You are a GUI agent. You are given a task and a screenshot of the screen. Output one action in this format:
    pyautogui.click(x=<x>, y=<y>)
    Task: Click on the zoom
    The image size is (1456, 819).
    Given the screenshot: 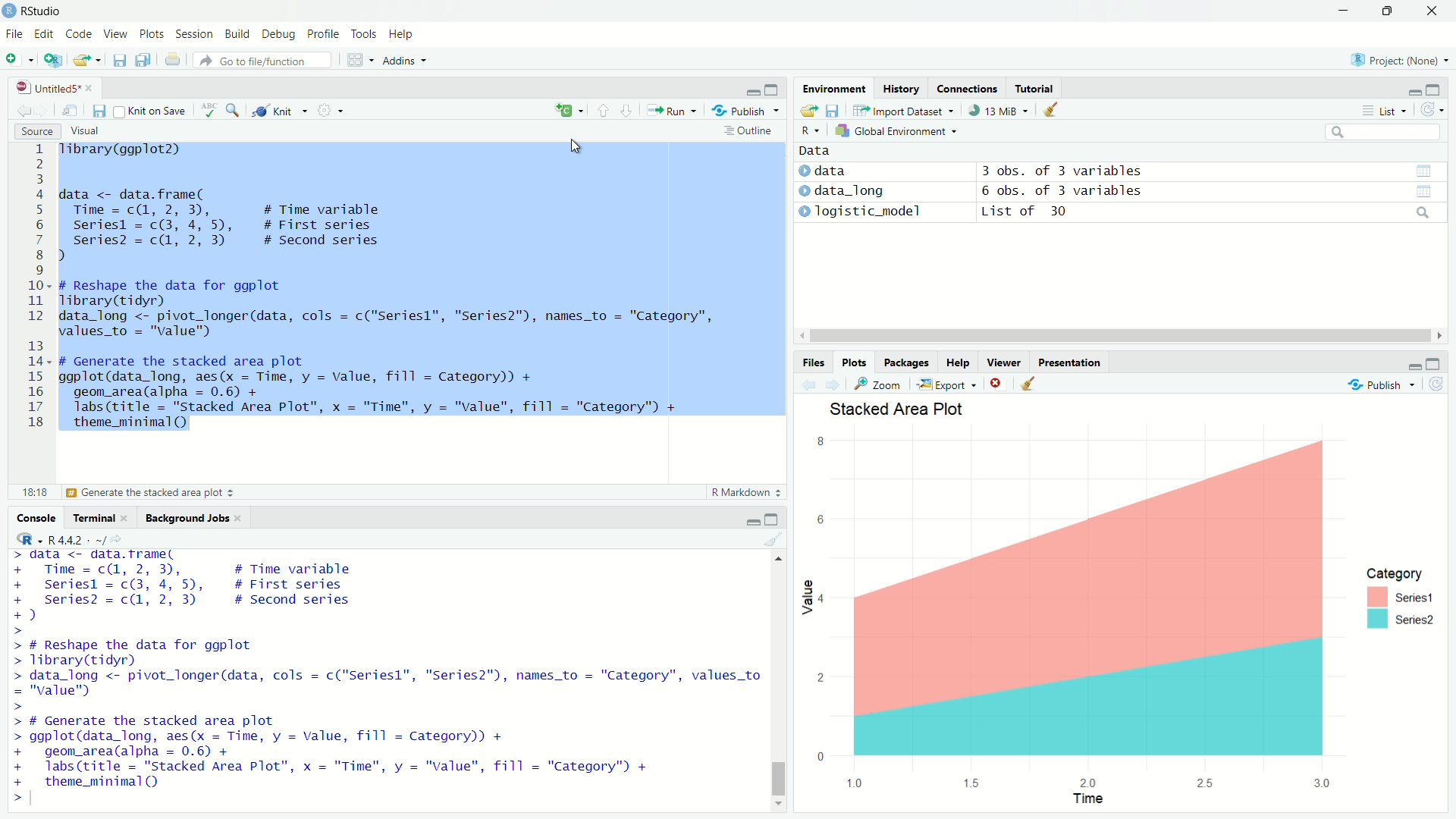 What is the action you would take?
    pyautogui.click(x=880, y=384)
    